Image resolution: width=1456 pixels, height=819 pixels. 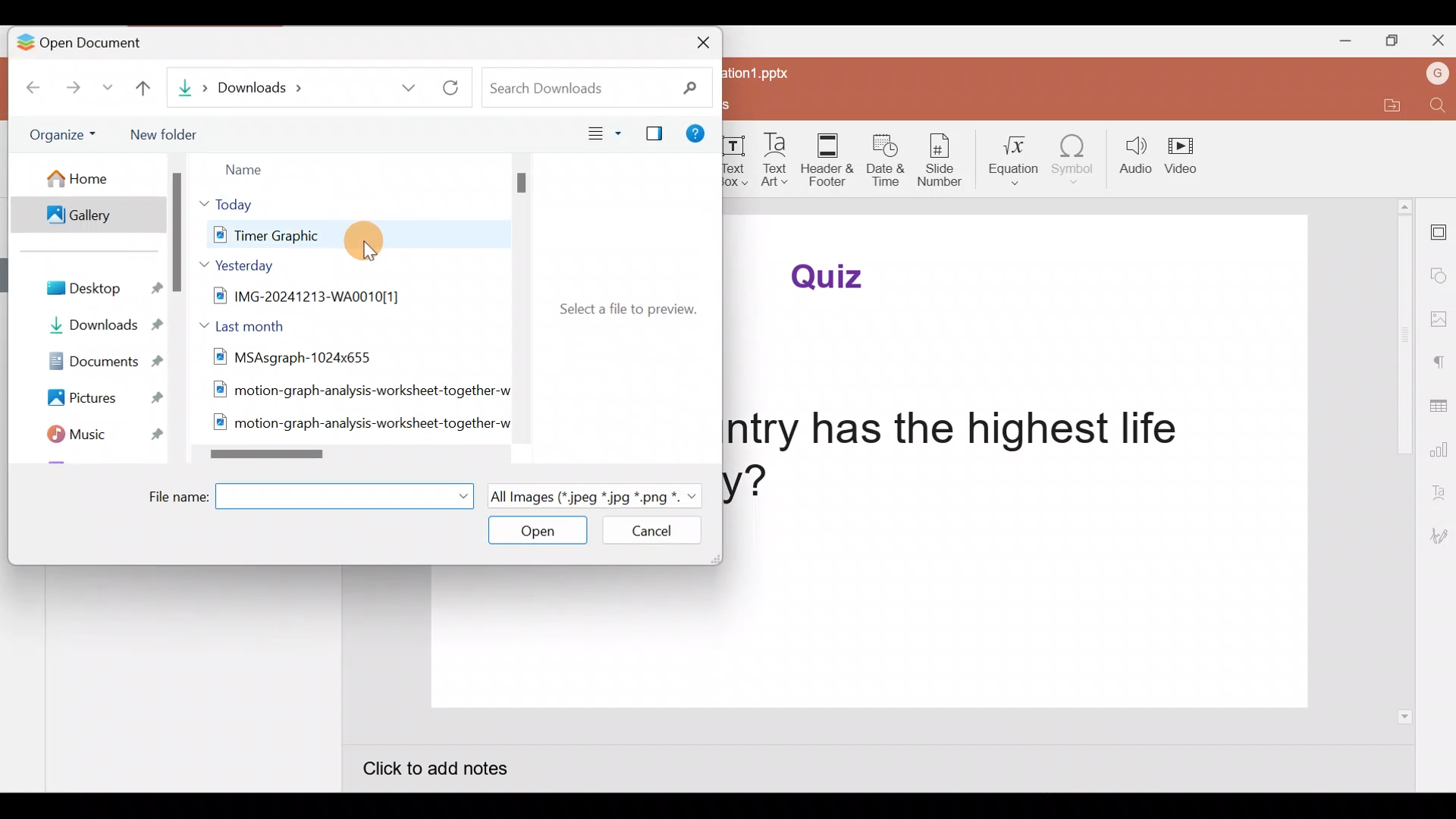 What do you see at coordinates (700, 136) in the screenshot?
I see `Help` at bounding box center [700, 136].